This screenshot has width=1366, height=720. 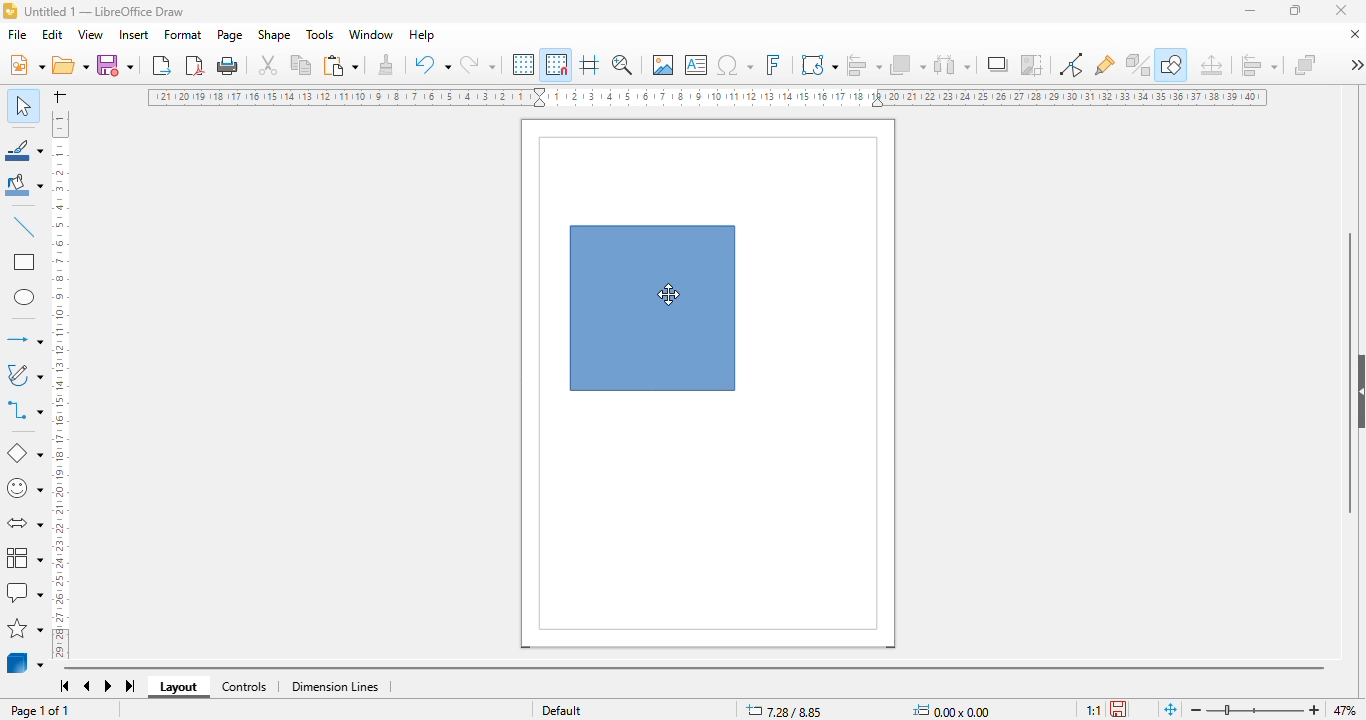 What do you see at coordinates (1344, 709) in the screenshot?
I see `47%` at bounding box center [1344, 709].